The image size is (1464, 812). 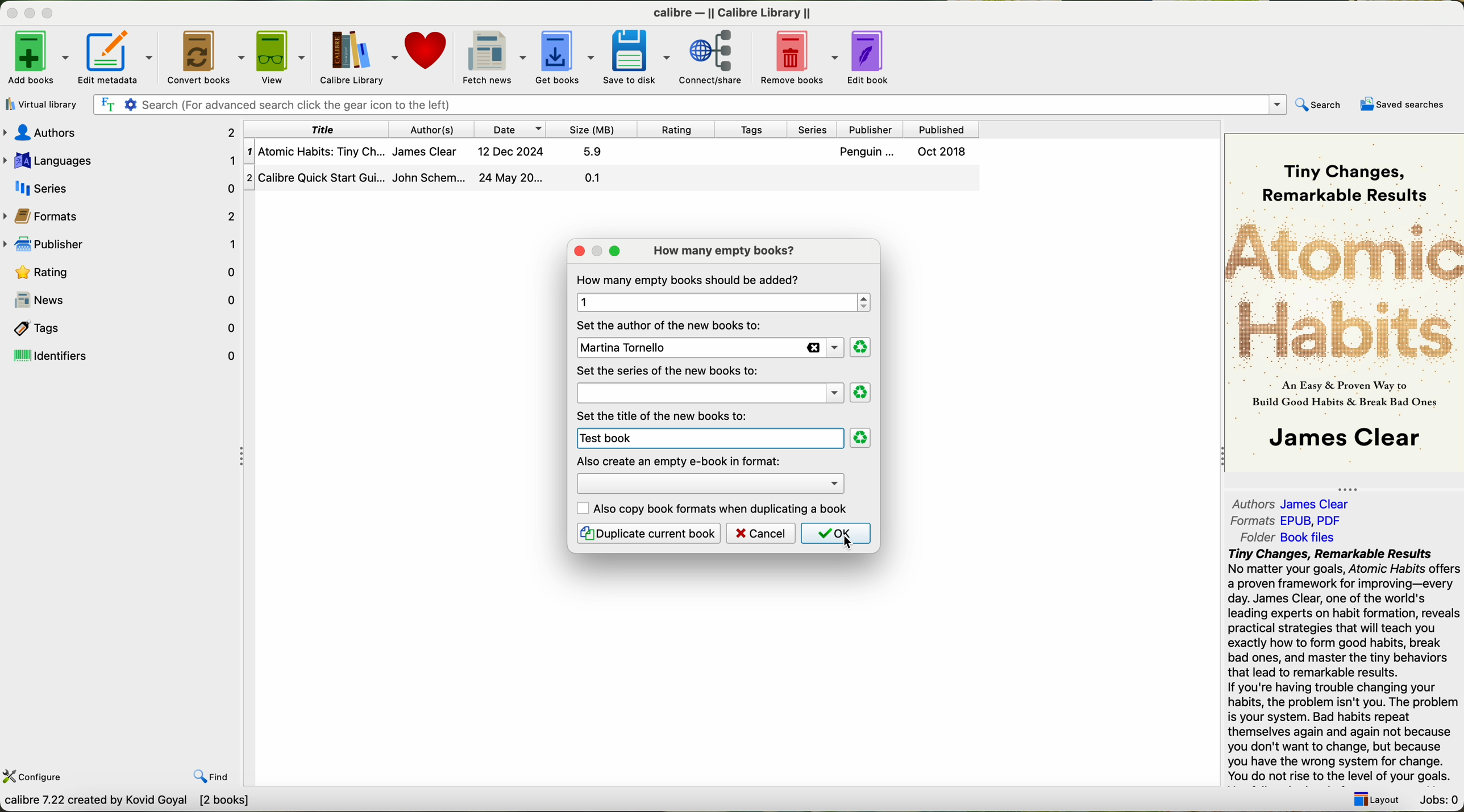 I want to click on Calibre Calibre library, so click(x=737, y=14).